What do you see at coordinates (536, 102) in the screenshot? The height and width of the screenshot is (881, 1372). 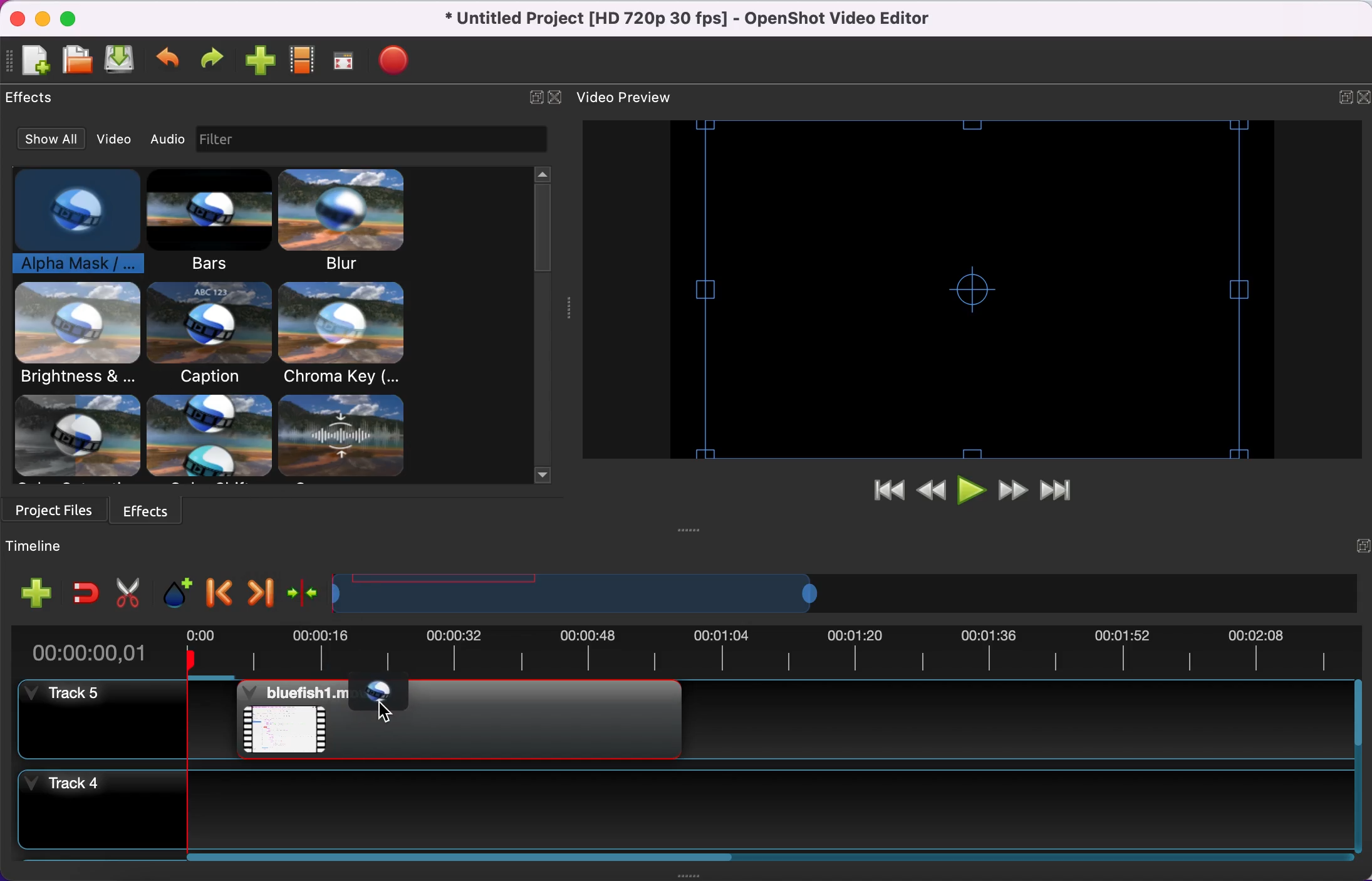 I see `expand/hide` at bounding box center [536, 102].